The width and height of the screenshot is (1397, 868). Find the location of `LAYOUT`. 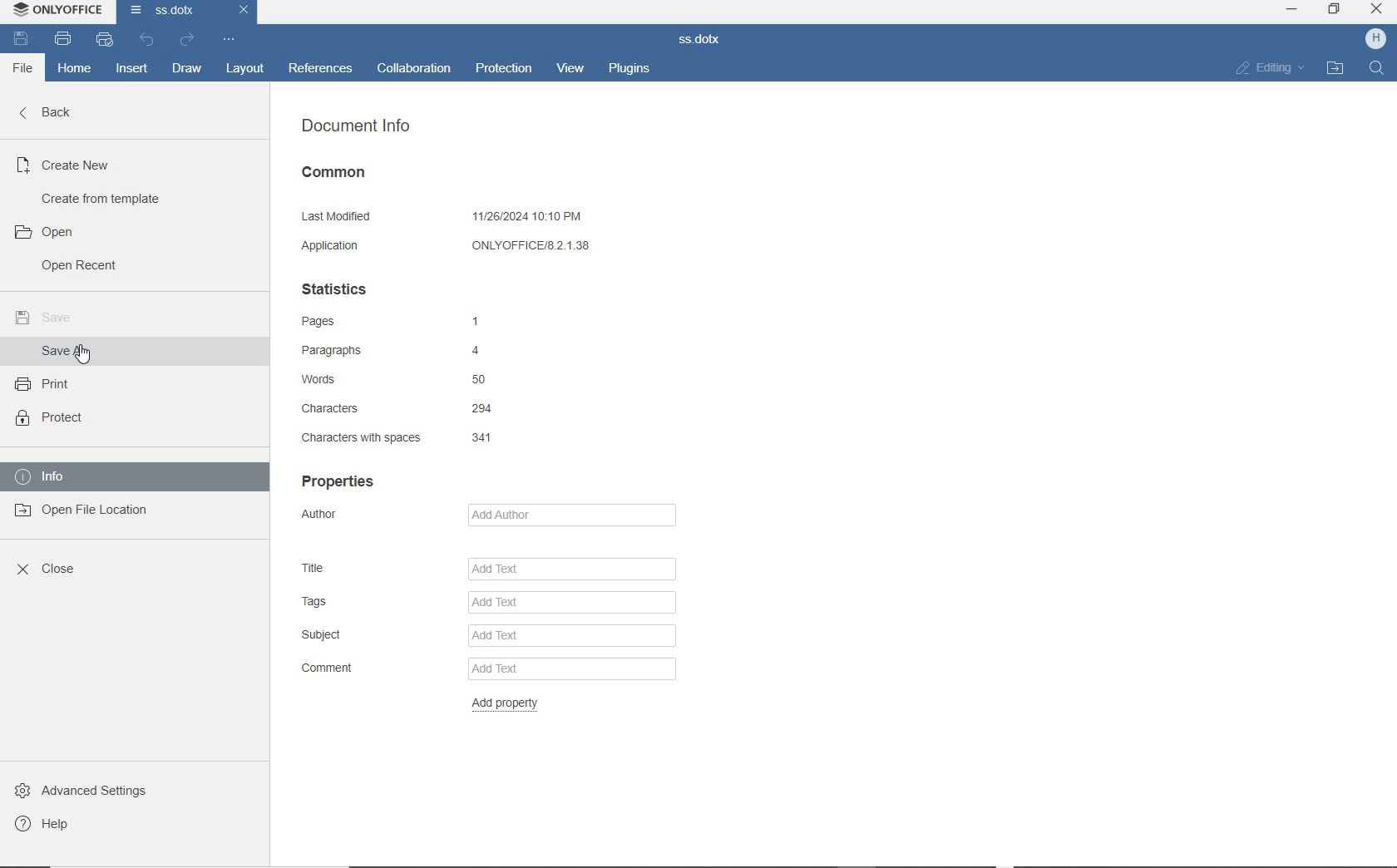

LAYOUT is located at coordinates (246, 68).